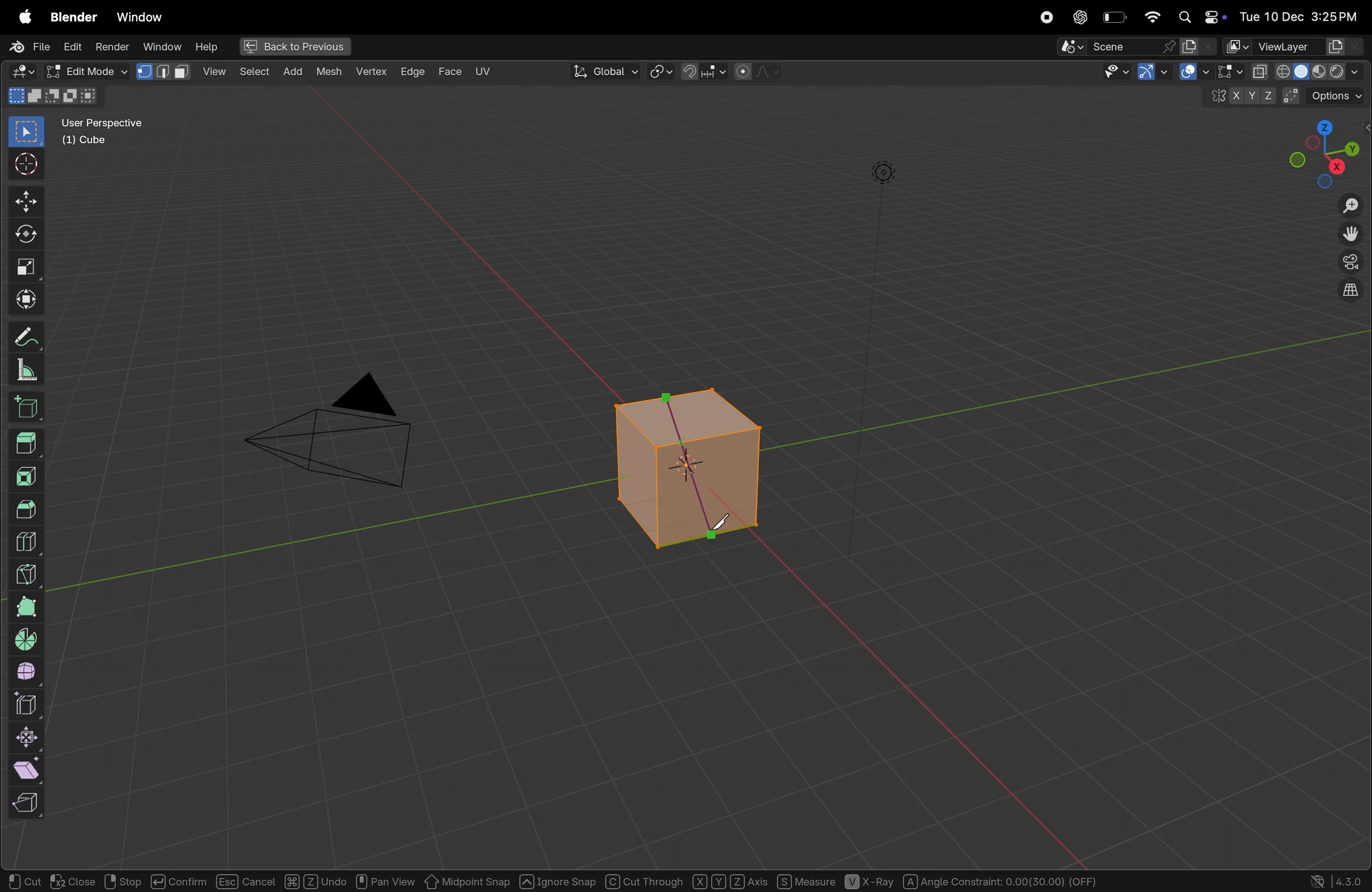  What do you see at coordinates (29, 705) in the screenshot?
I see `edge slide` at bounding box center [29, 705].